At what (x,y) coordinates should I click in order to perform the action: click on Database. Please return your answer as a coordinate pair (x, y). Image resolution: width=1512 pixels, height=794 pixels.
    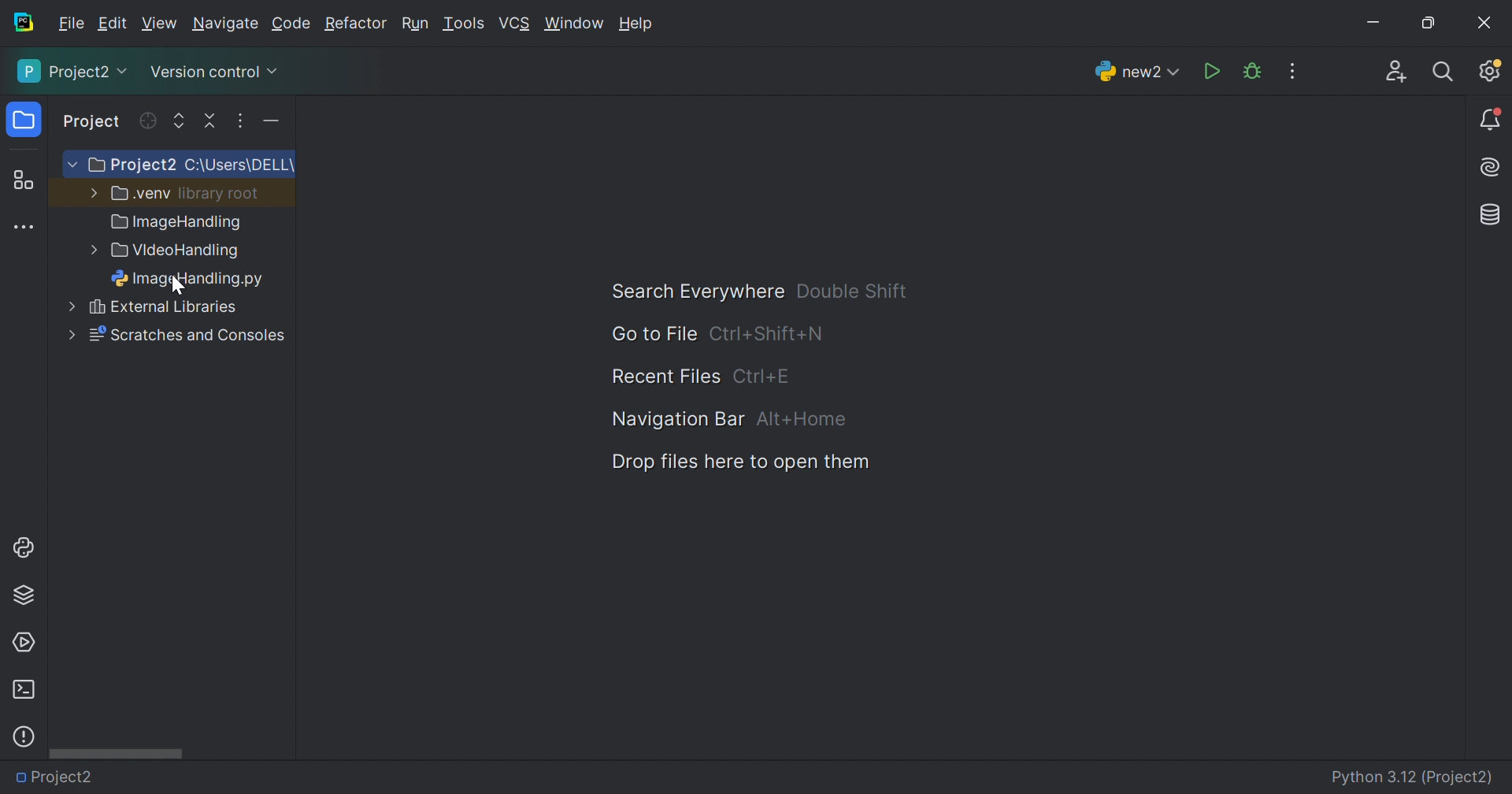
    Looking at the image, I should click on (1492, 216).